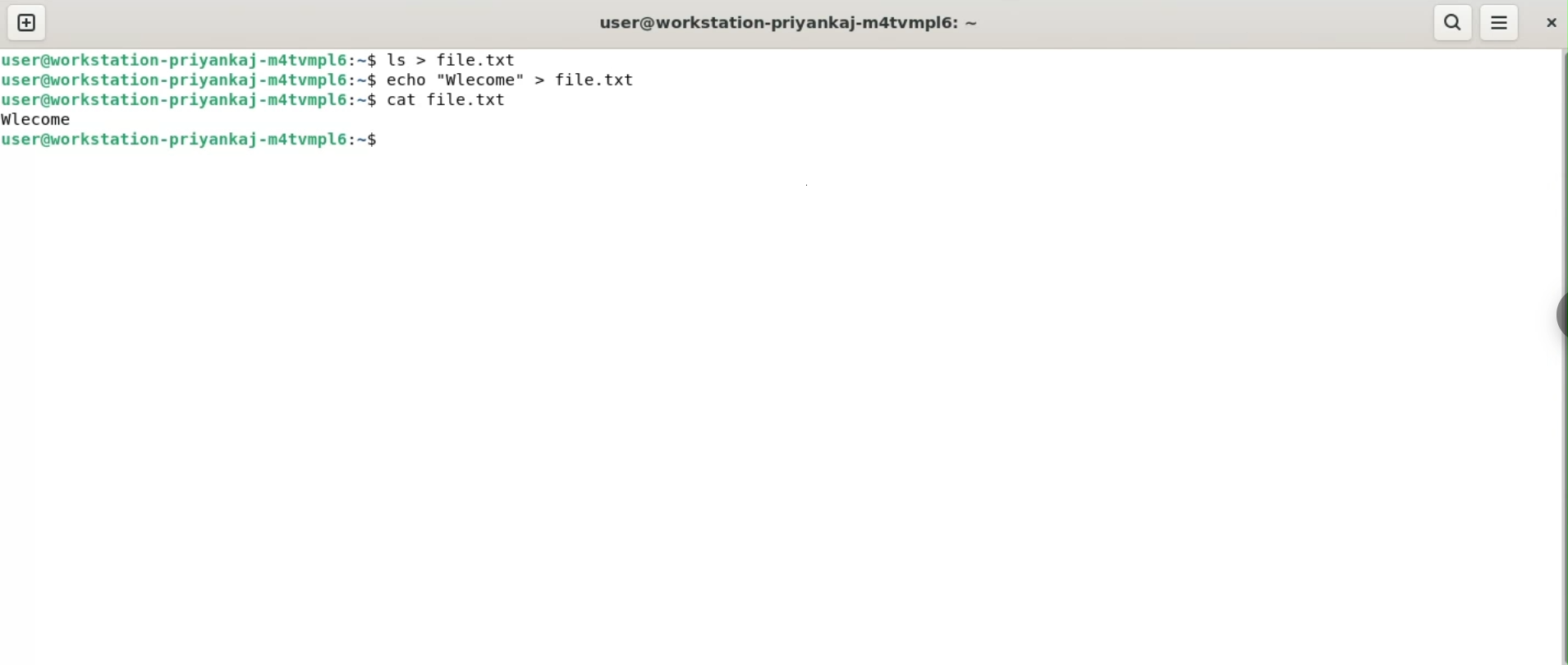 Image resolution: width=1568 pixels, height=665 pixels. I want to click on search, so click(1454, 21).